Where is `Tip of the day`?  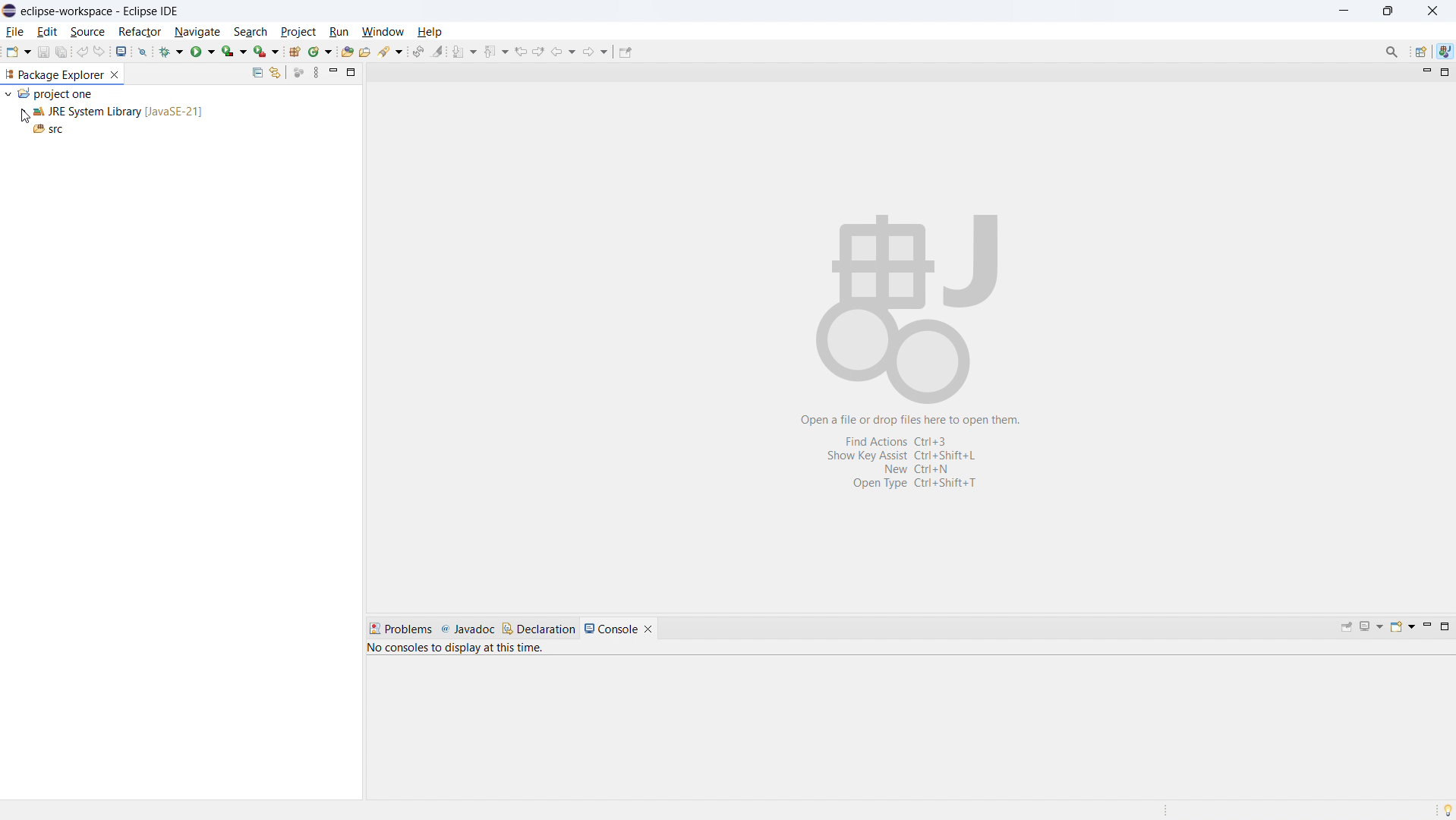
Tip of the day is located at coordinates (1442, 806).